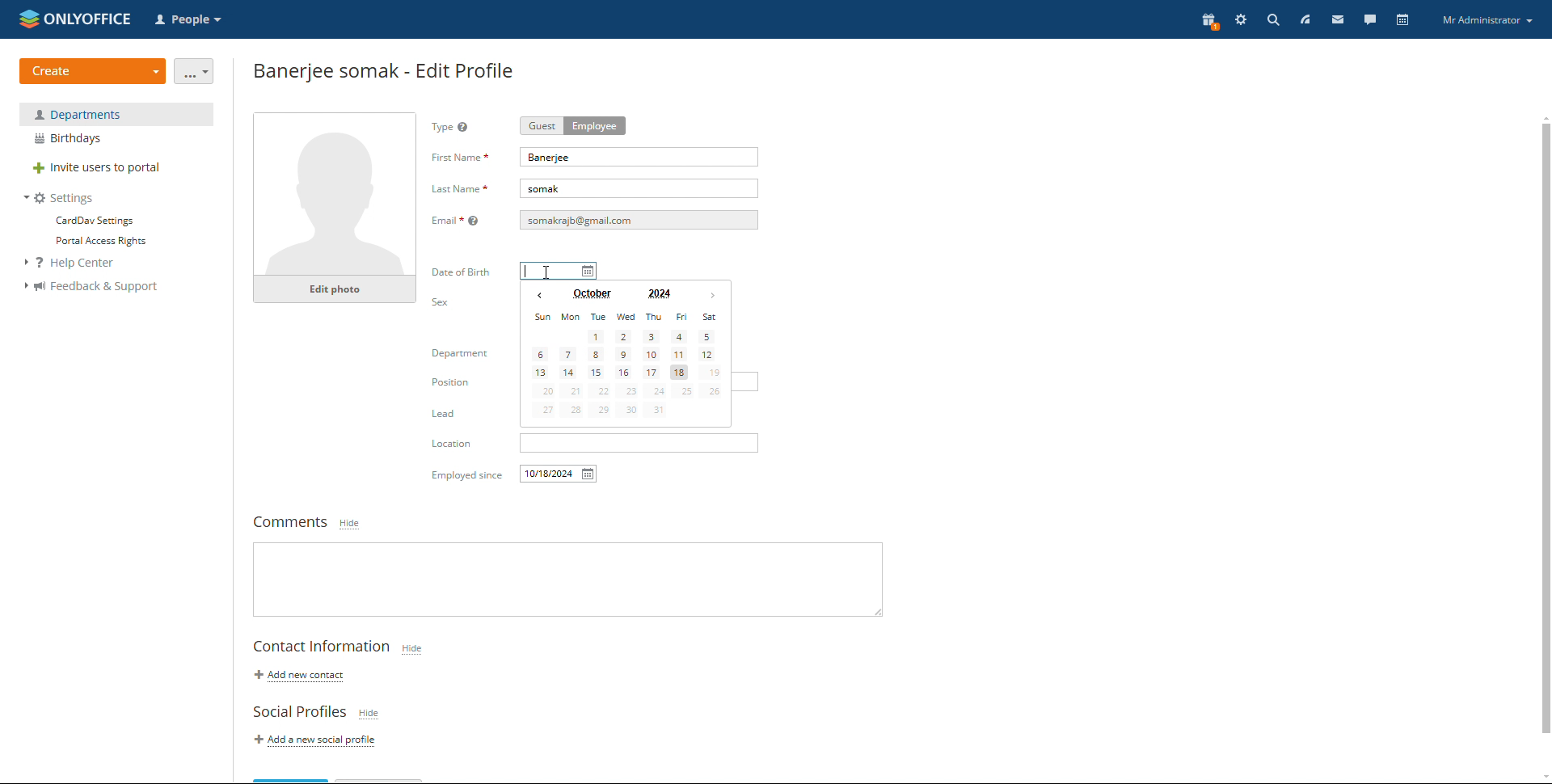 This screenshot has width=1552, height=784. Describe the element at coordinates (286, 523) in the screenshot. I see `comments` at that location.